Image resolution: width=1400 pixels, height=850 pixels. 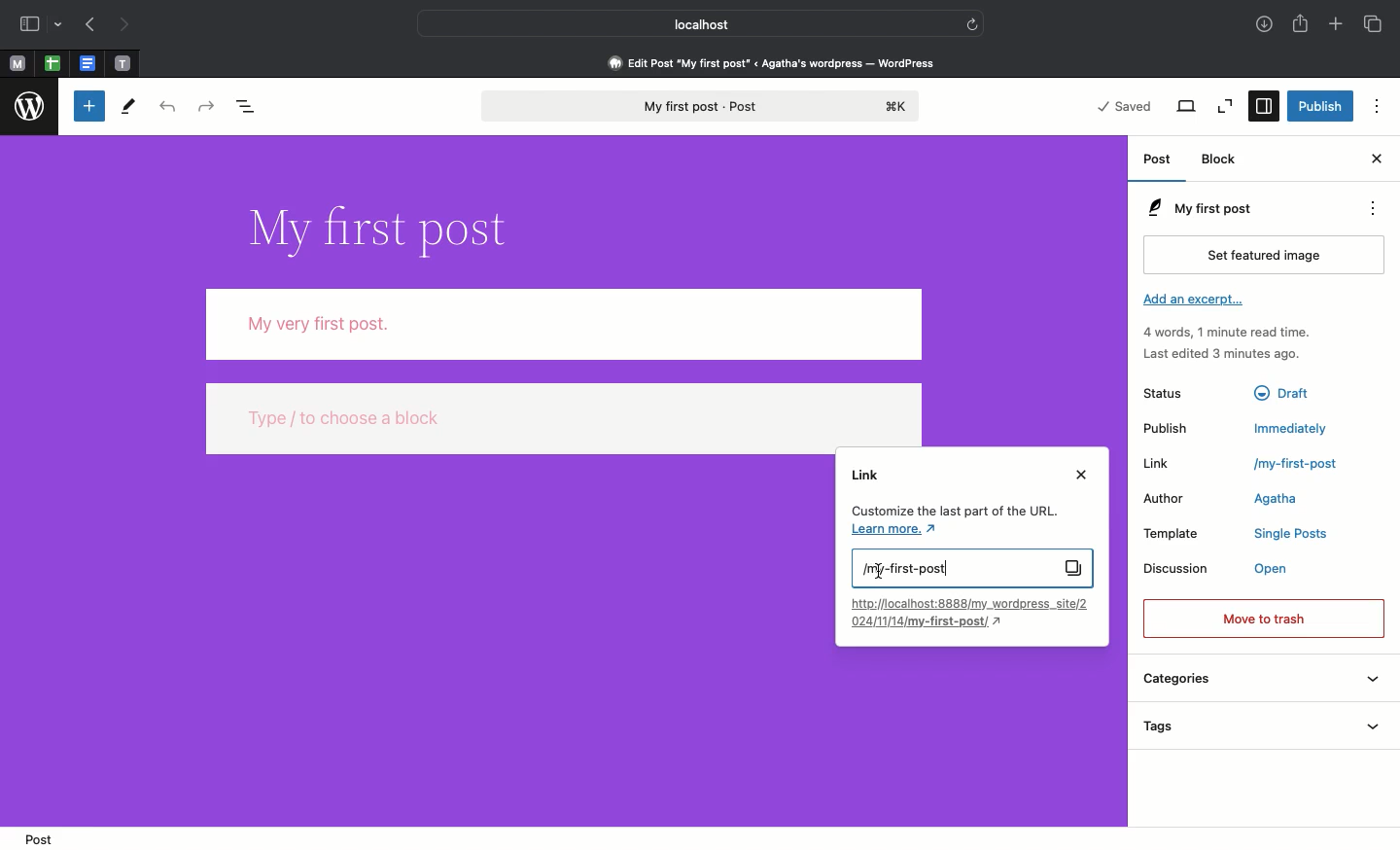 I want to click on Discussion, so click(x=1177, y=569).